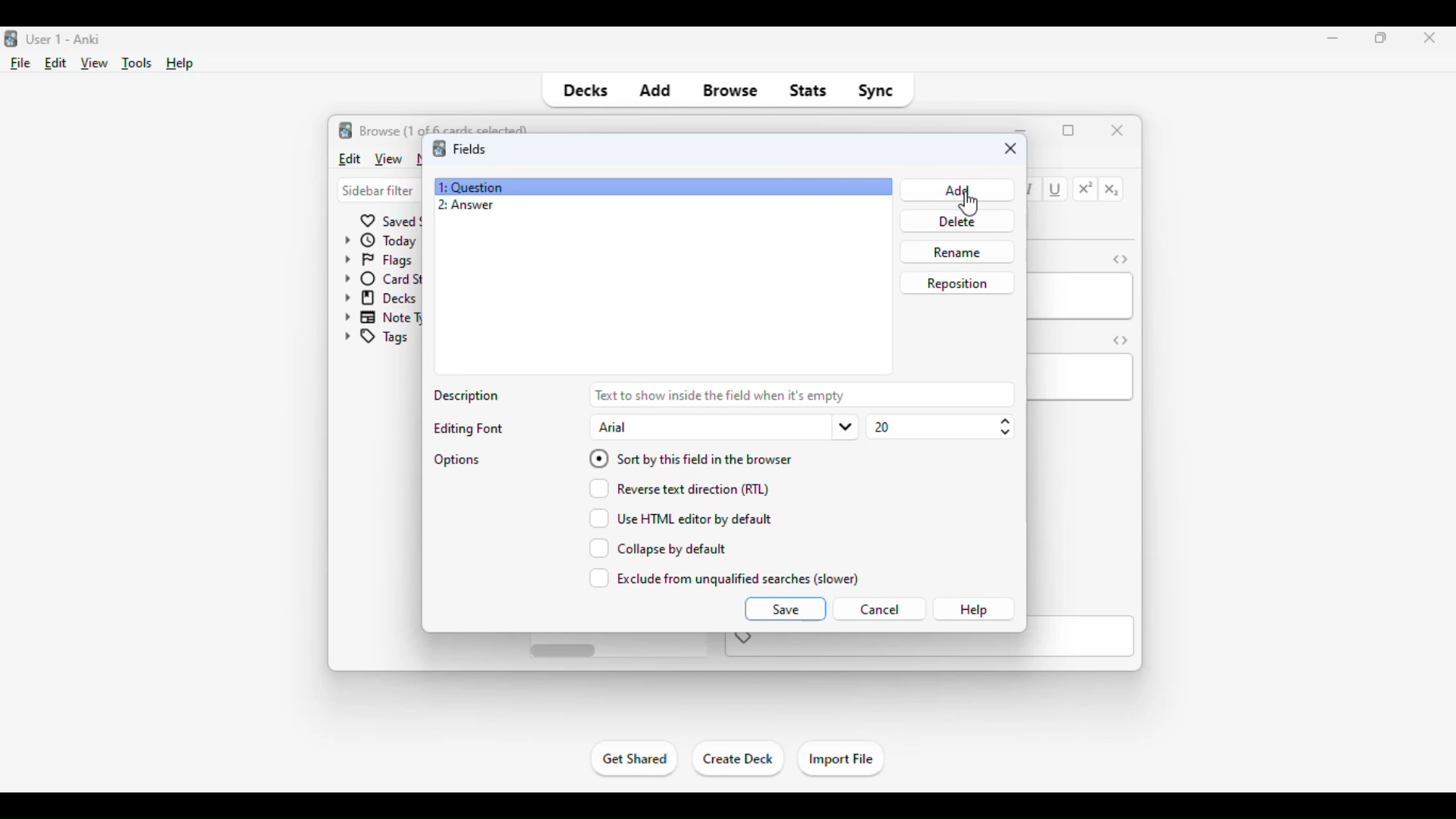  What do you see at coordinates (180, 64) in the screenshot?
I see `help` at bounding box center [180, 64].